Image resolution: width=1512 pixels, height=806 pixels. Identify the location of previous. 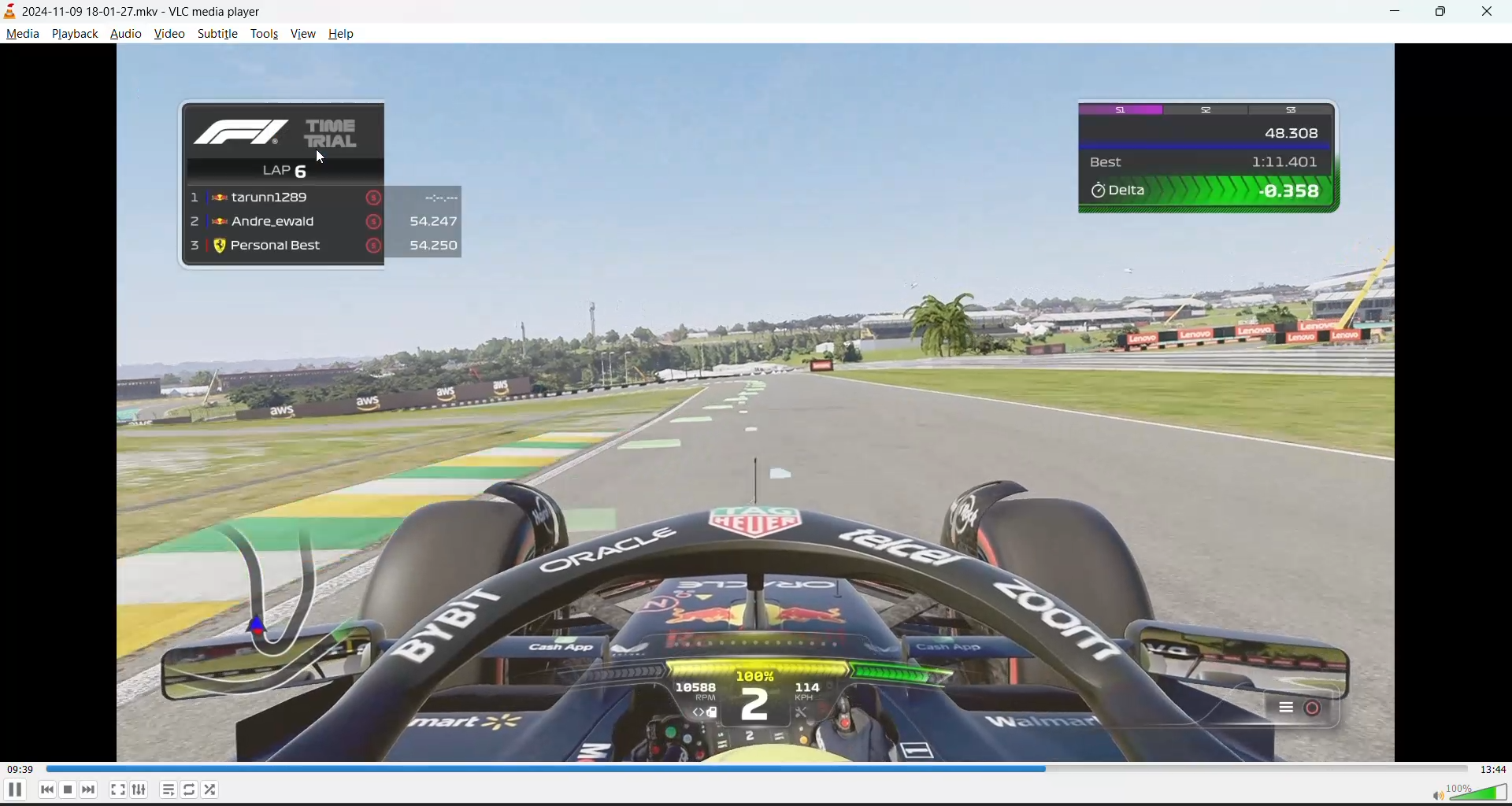
(47, 789).